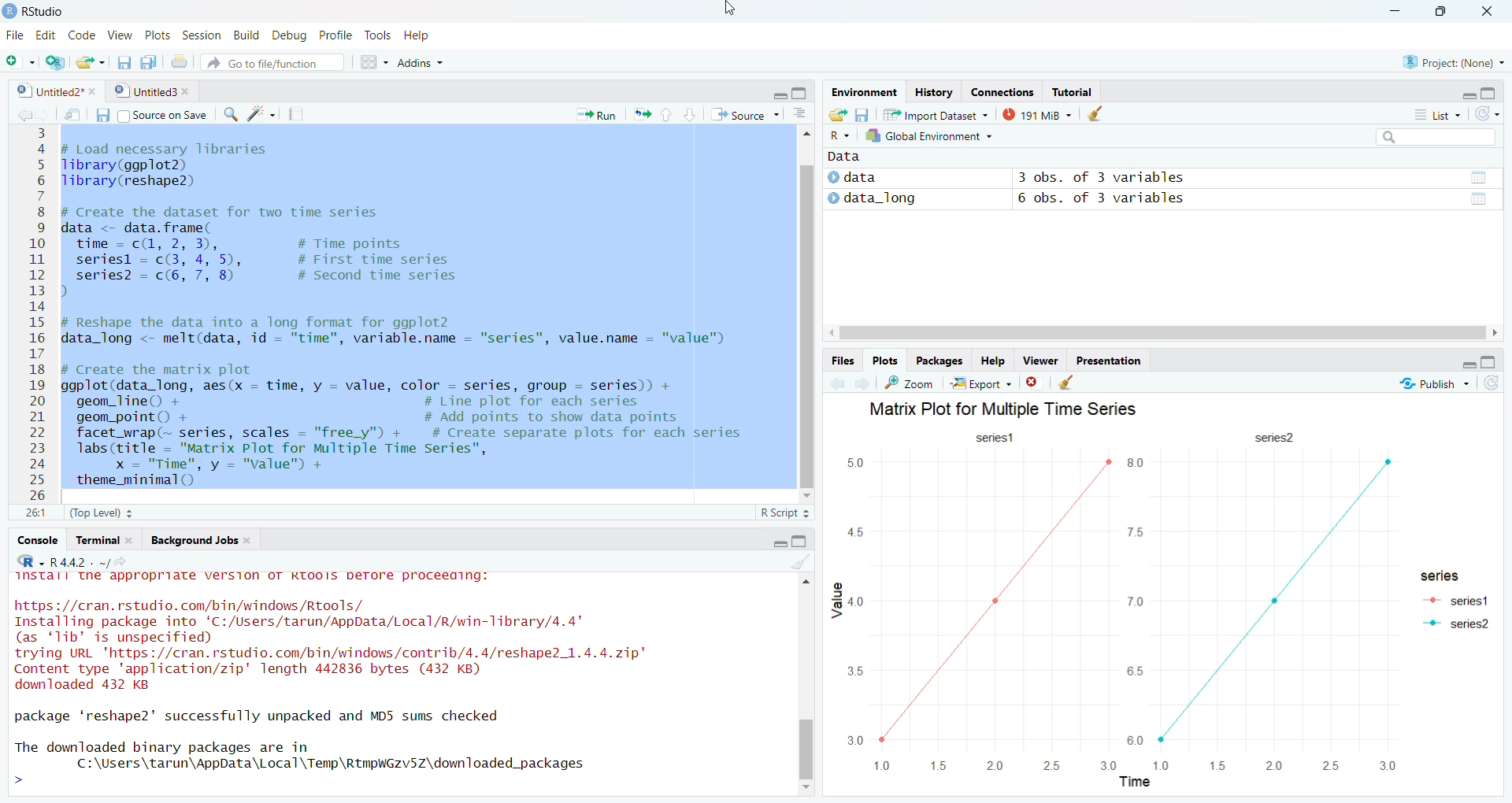 The width and height of the screenshot is (1512, 803). What do you see at coordinates (838, 135) in the screenshot?
I see `R` at bounding box center [838, 135].